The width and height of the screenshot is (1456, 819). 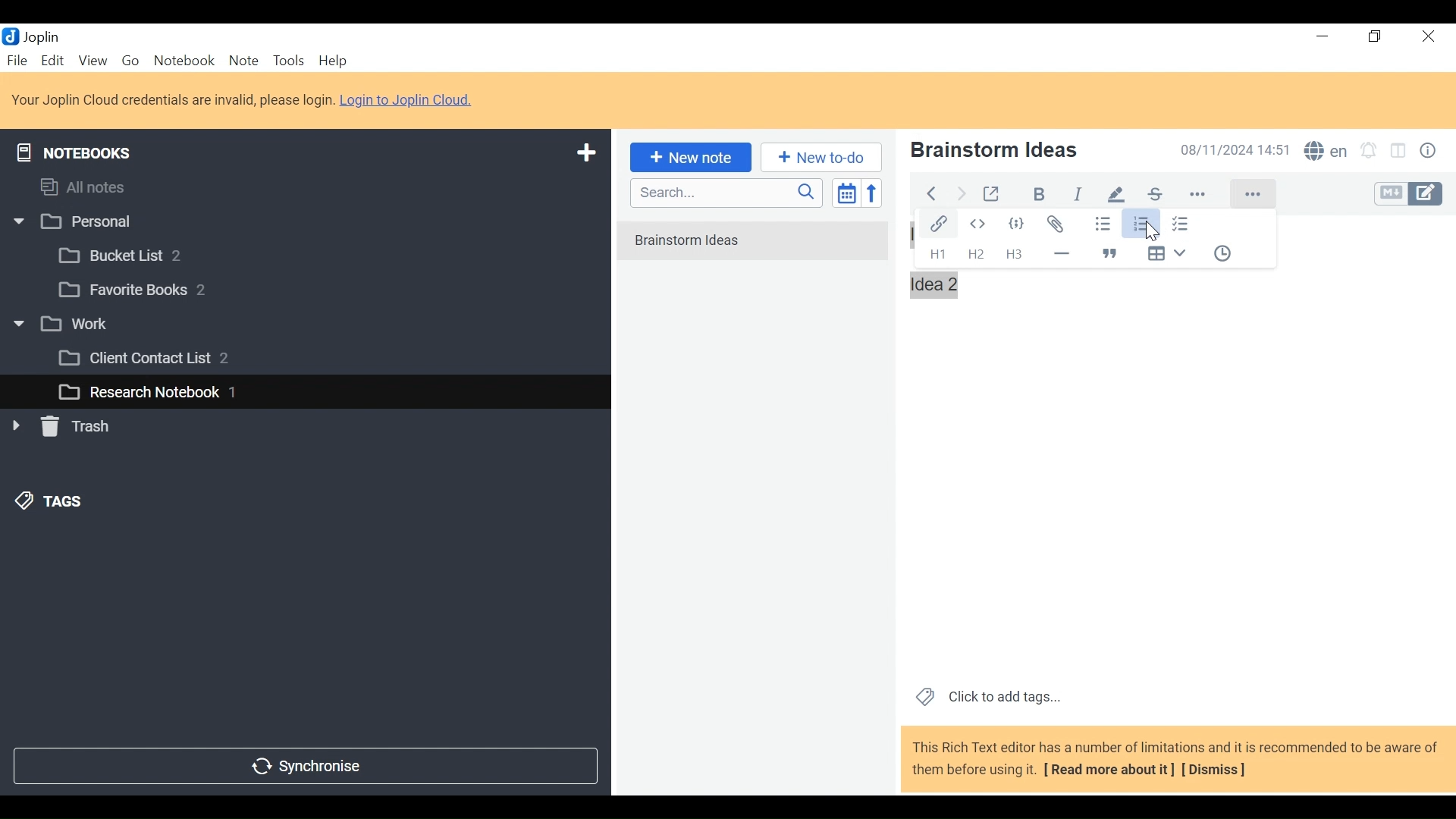 I want to click on Login to Joplin Cloud, so click(x=172, y=100).